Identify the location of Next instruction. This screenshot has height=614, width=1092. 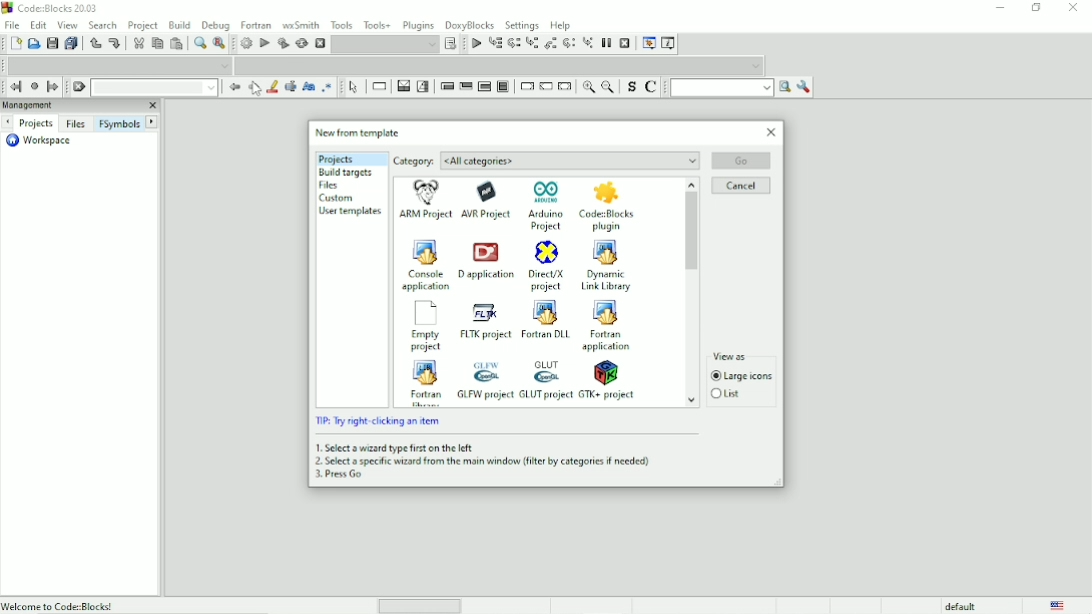
(568, 43).